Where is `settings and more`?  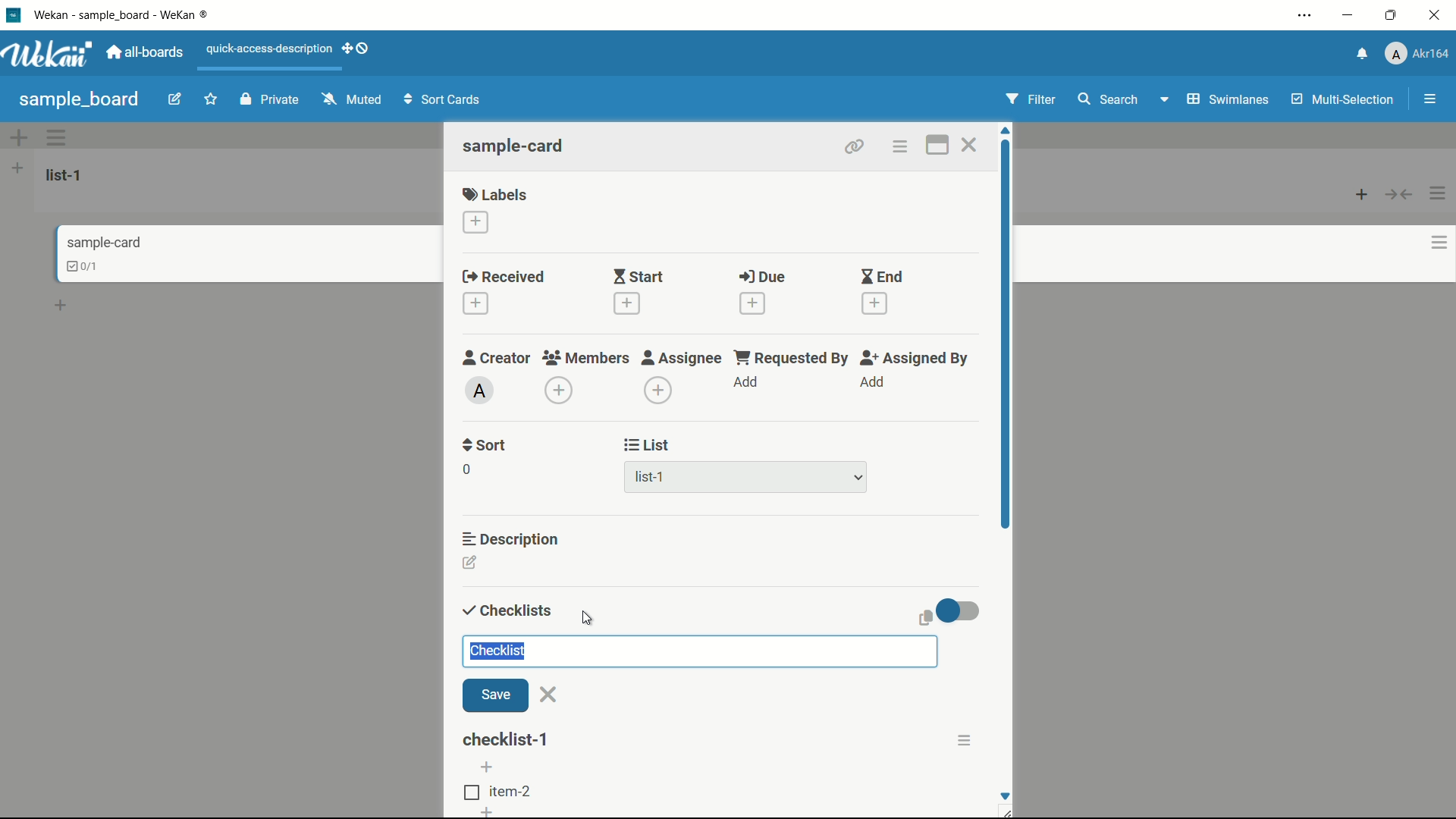 settings and more is located at coordinates (1307, 17).